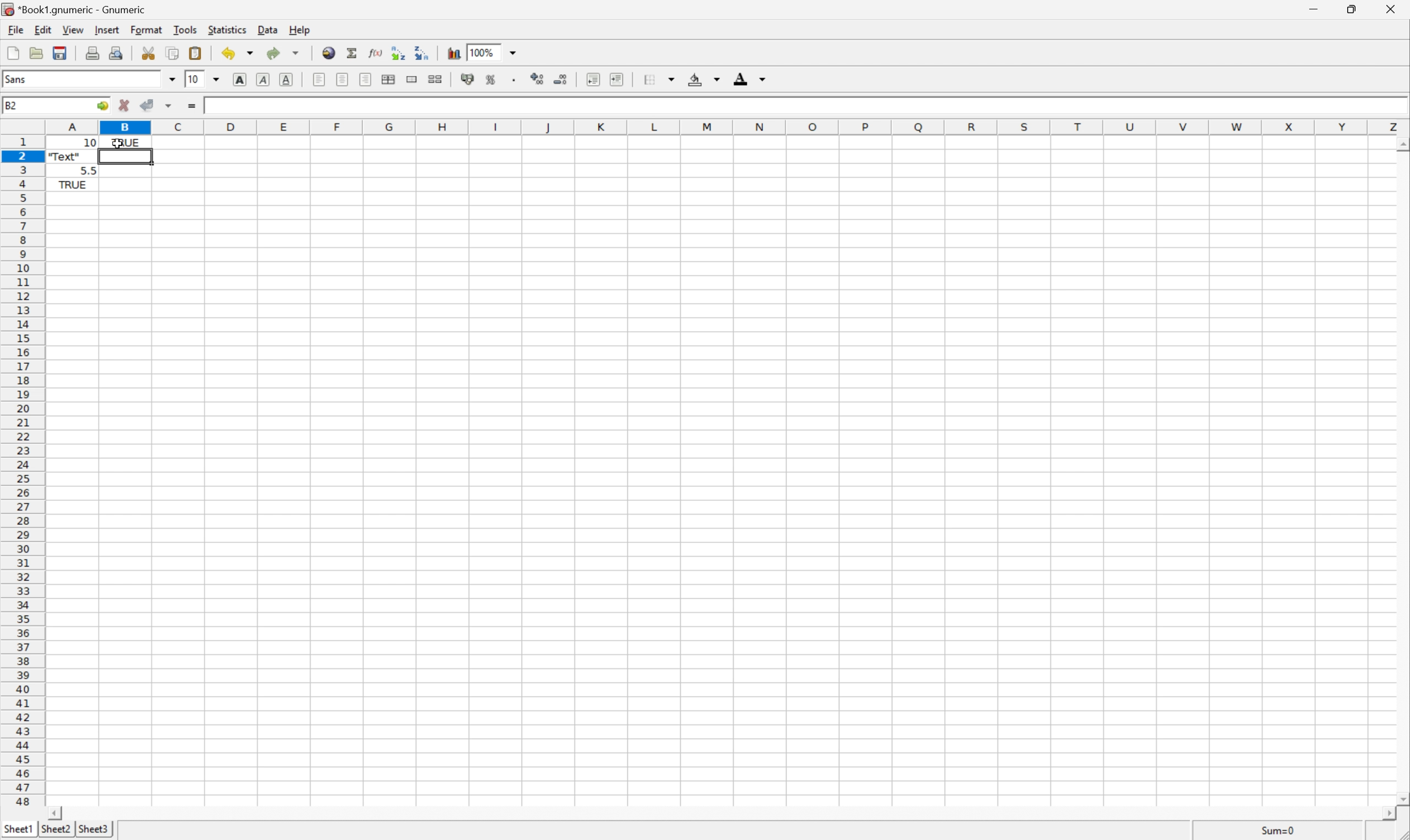  I want to click on Insert a chart, so click(454, 52).